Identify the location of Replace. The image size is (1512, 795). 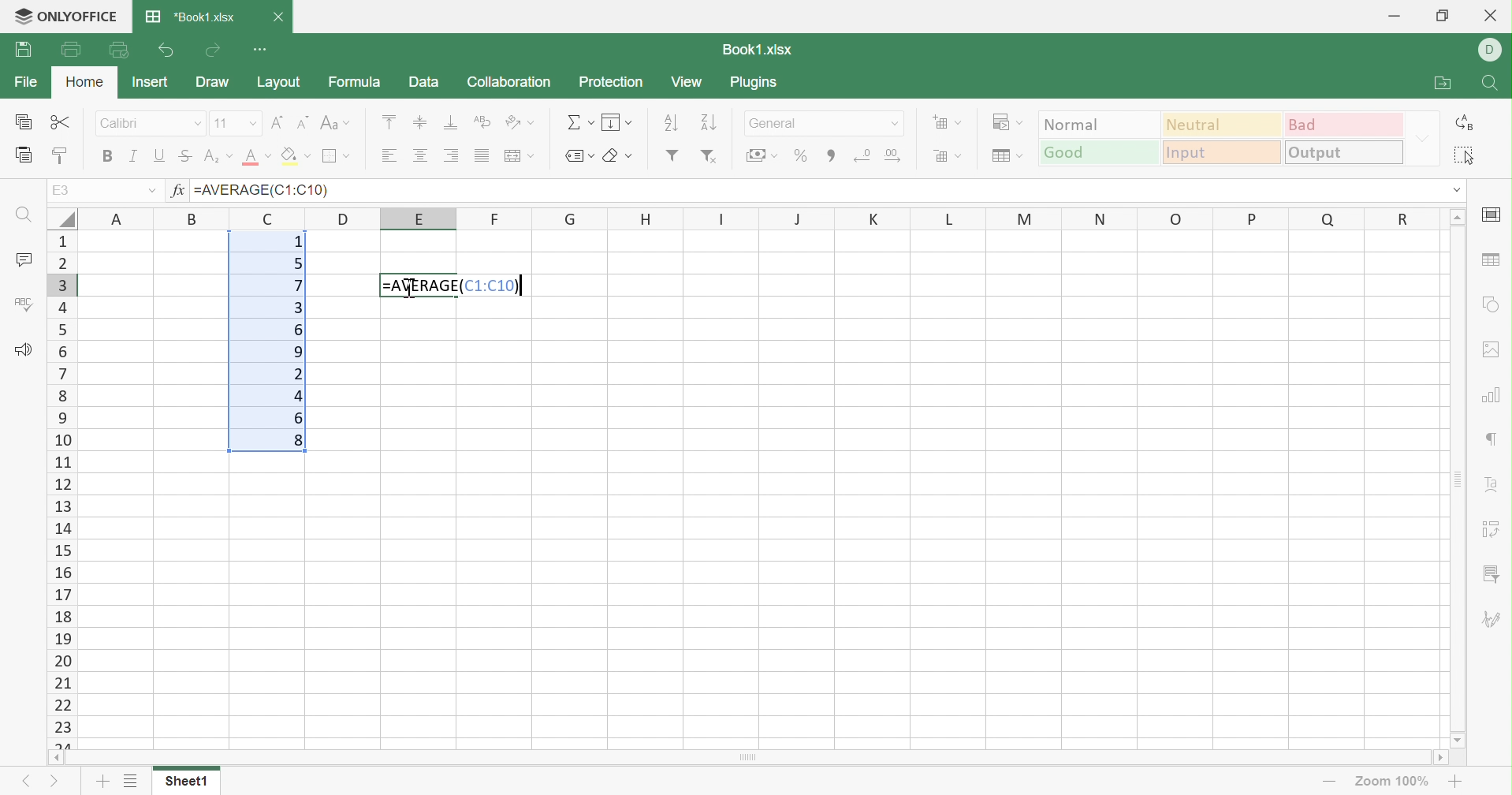
(1463, 122).